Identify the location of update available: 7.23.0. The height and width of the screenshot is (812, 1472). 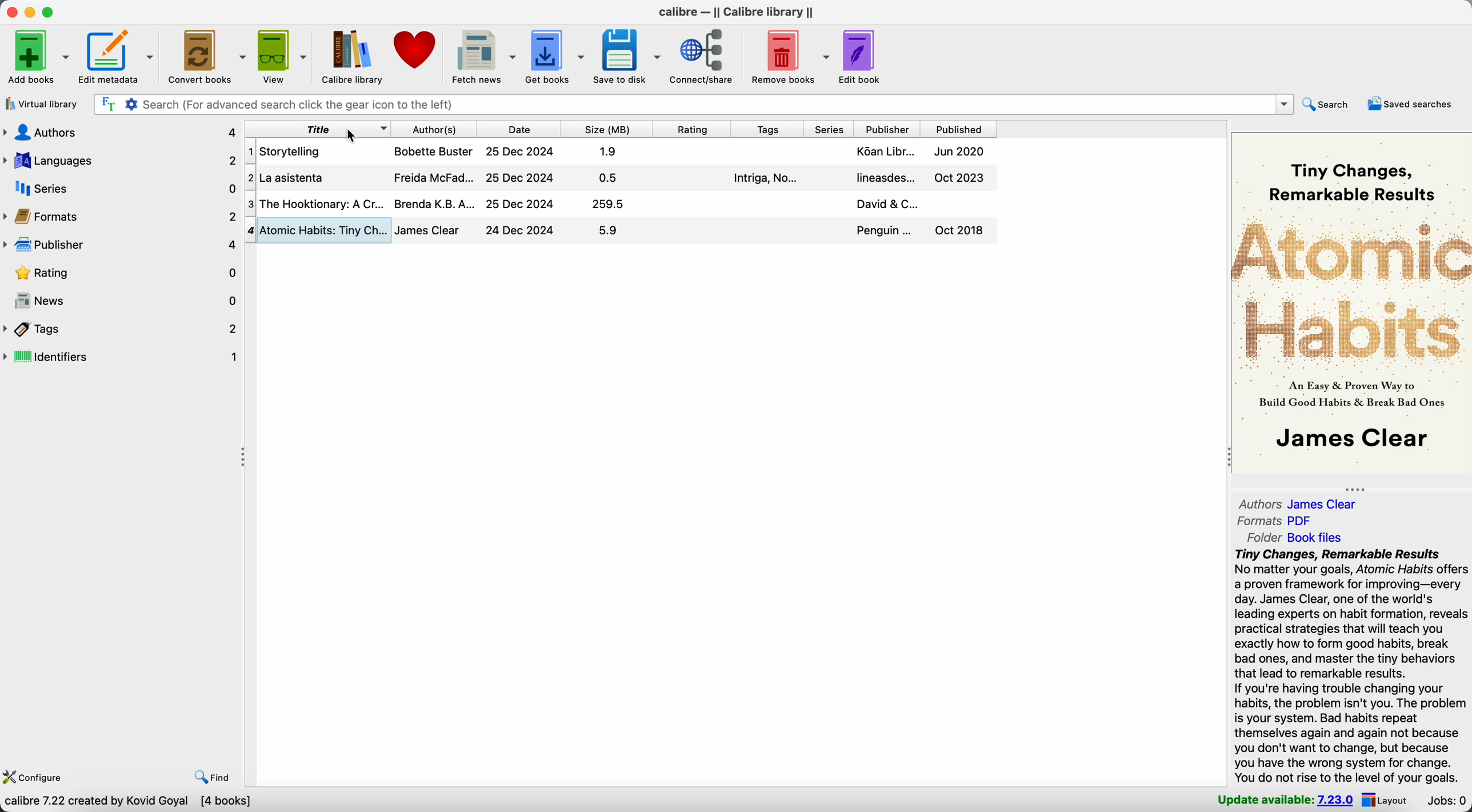
(1282, 800).